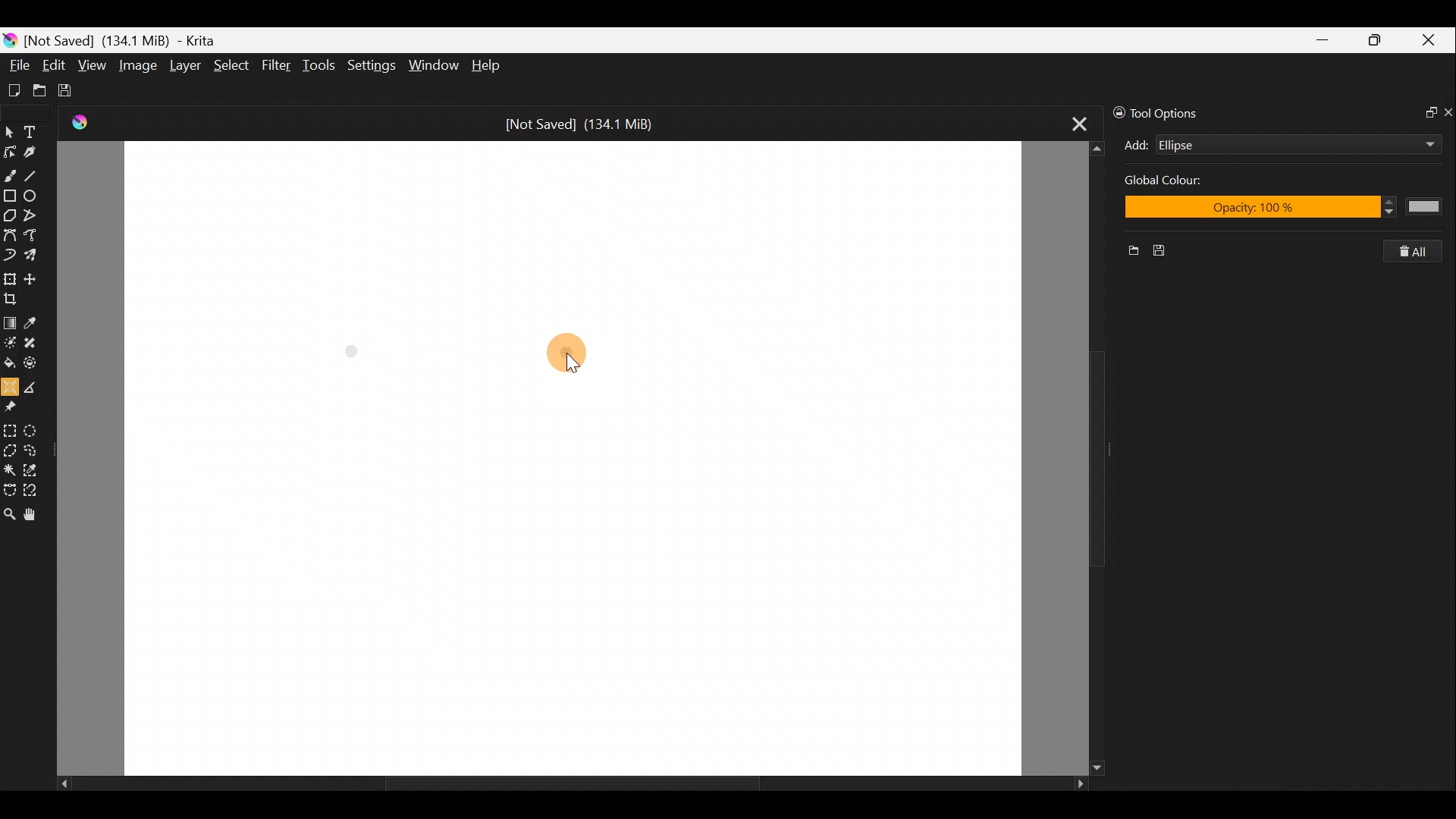 Image resolution: width=1456 pixels, height=819 pixels. What do you see at coordinates (13, 89) in the screenshot?
I see `Create new document` at bounding box center [13, 89].